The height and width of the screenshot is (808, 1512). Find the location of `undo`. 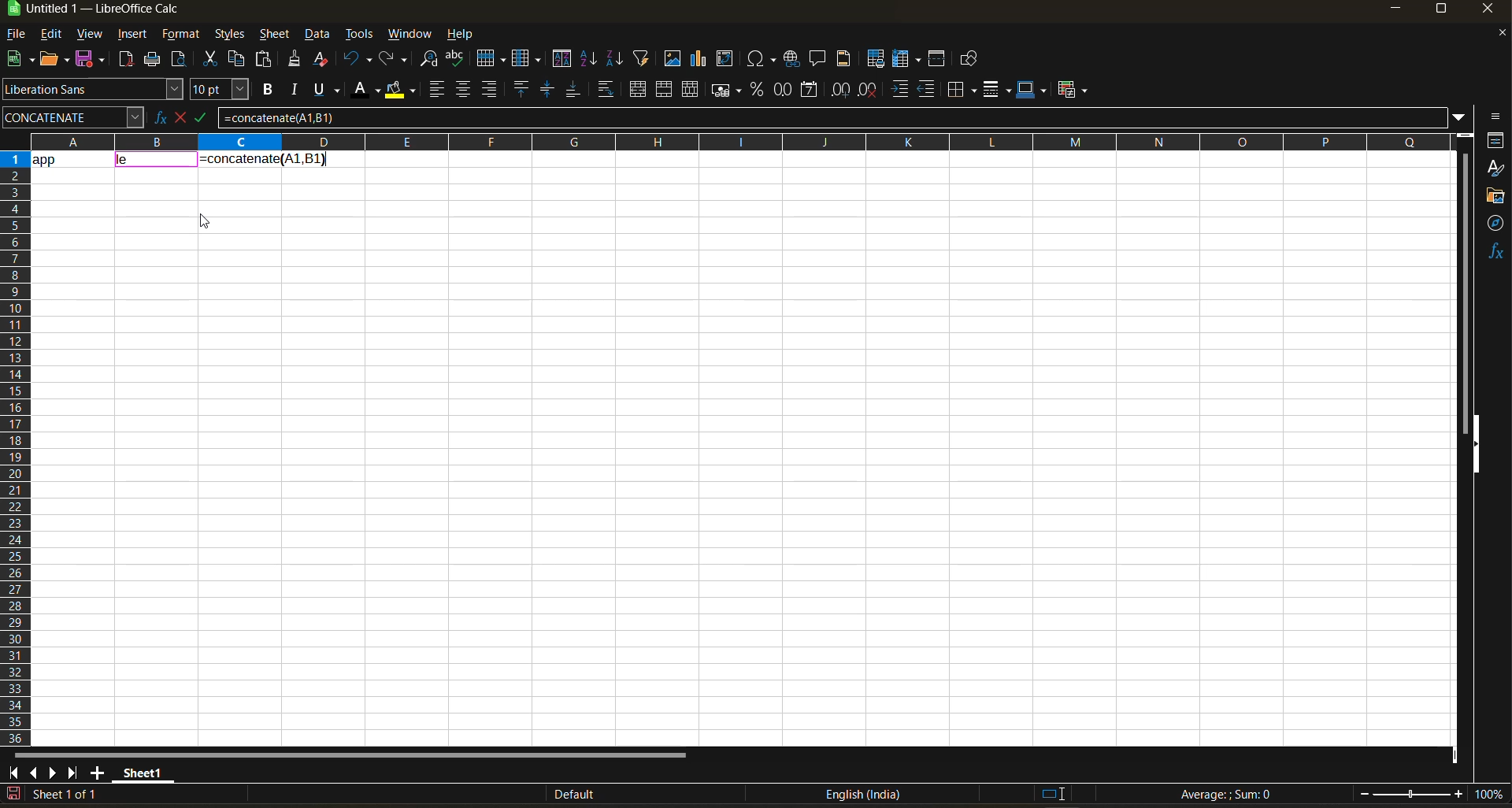

undo is located at coordinates (358, 59).